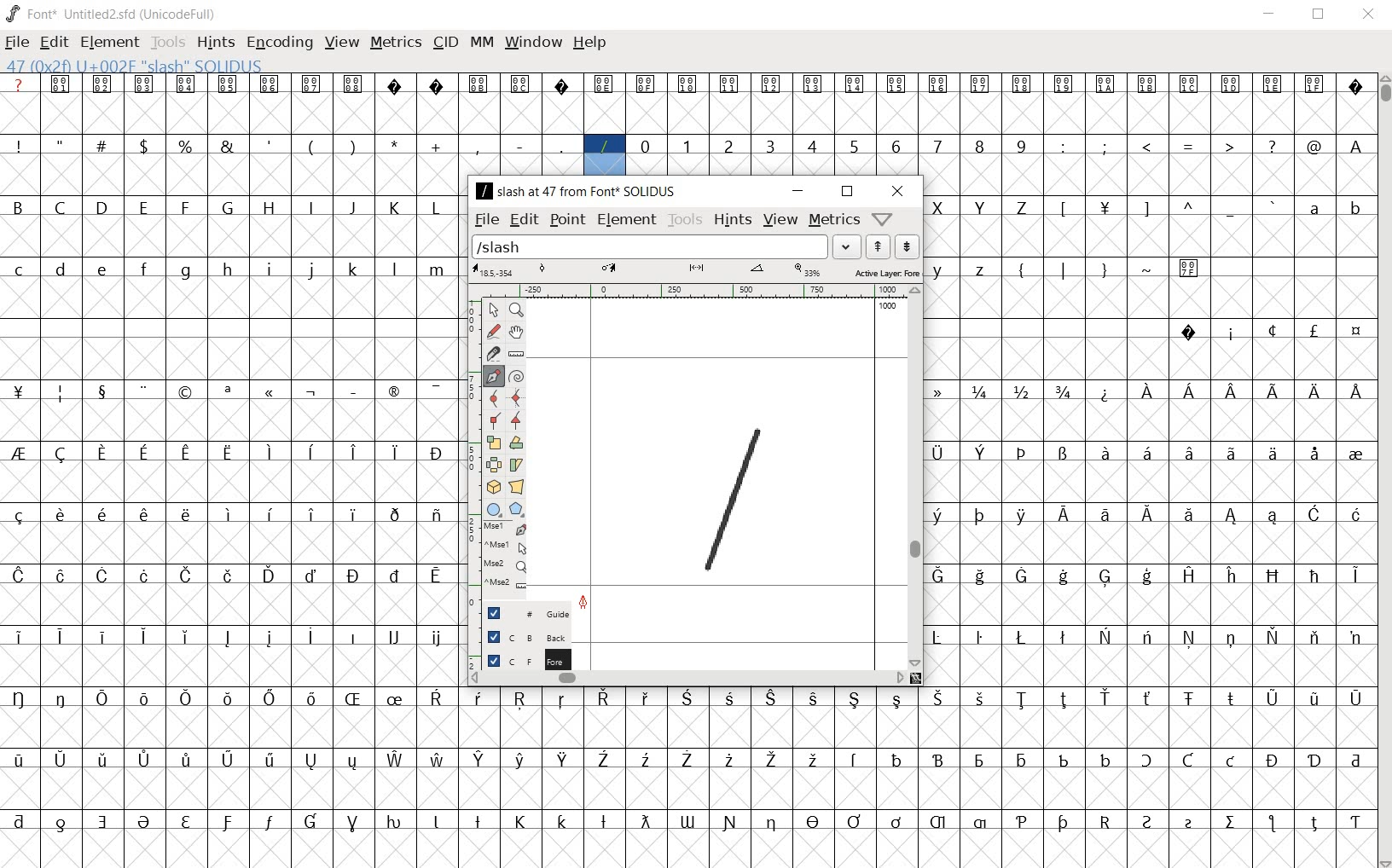  Describe the element at coordinates (884, 310) in the screenshot. I see `1000` at that location.